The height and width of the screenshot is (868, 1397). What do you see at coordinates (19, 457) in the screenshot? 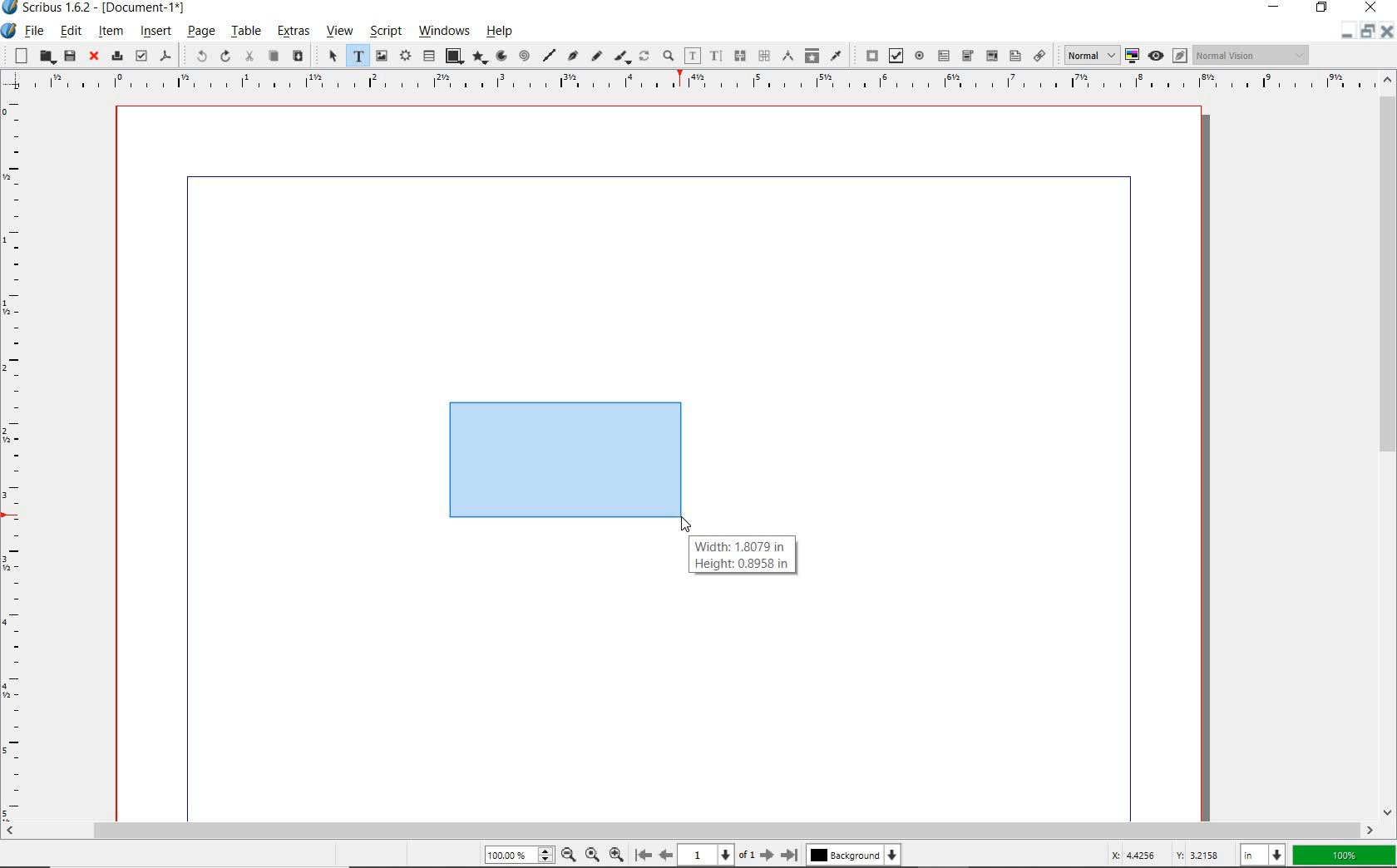
I see `Vertical Margin` at bounding box center [19, 457].